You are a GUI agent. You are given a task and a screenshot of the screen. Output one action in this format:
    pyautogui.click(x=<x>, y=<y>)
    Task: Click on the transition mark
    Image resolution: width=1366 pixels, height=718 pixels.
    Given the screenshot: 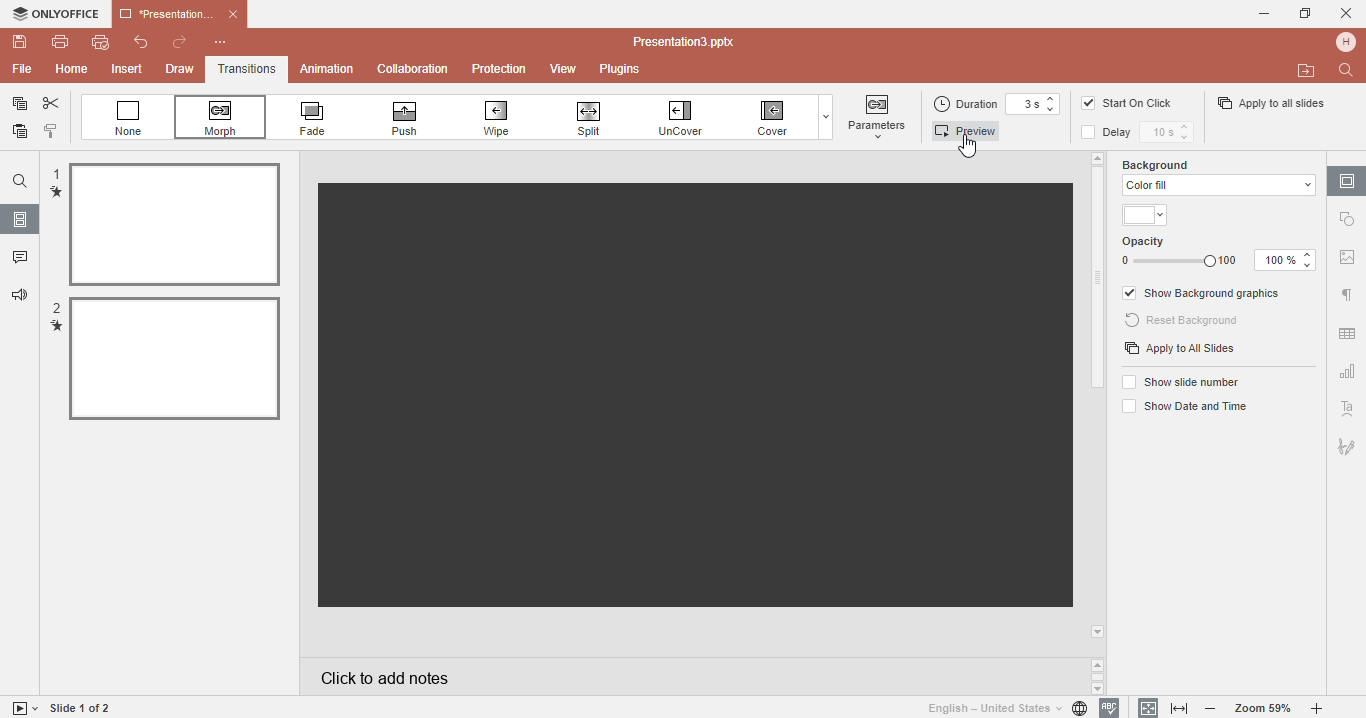 What is the action you would take?
    pyautogui.click(x=56, y=192)
    